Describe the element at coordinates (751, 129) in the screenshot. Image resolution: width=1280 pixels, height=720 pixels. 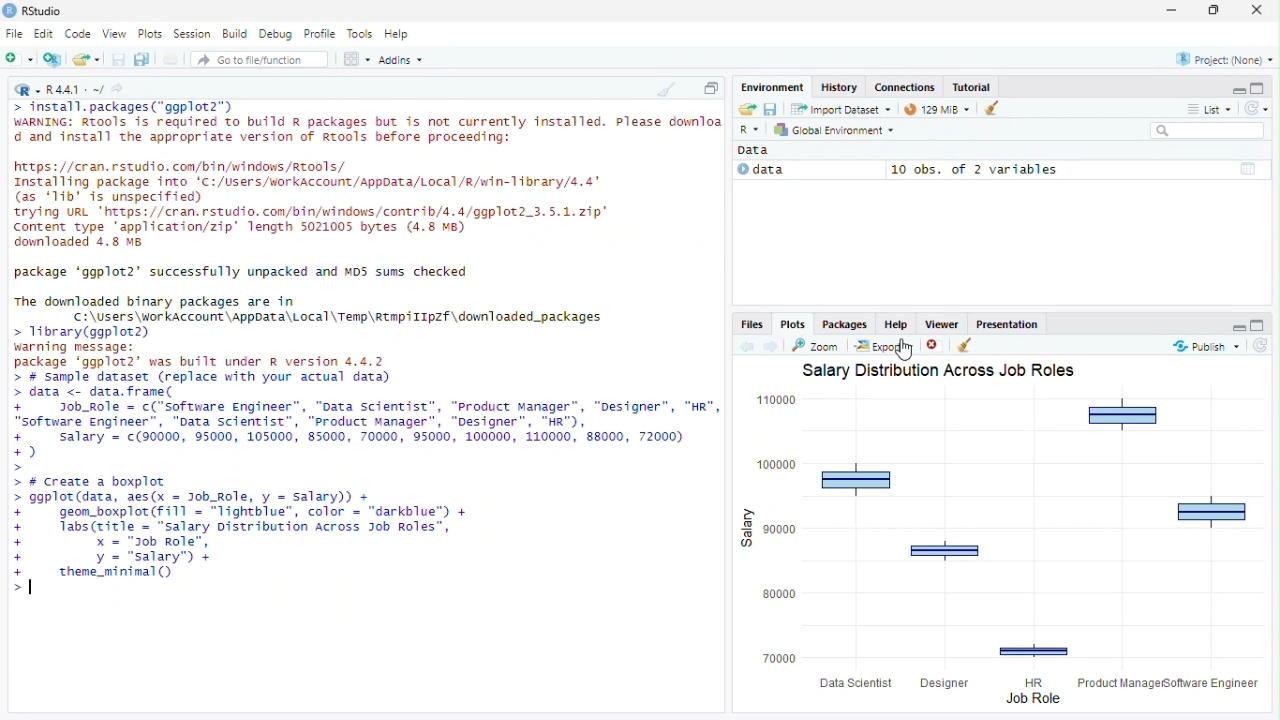
I see `R language` at that location.